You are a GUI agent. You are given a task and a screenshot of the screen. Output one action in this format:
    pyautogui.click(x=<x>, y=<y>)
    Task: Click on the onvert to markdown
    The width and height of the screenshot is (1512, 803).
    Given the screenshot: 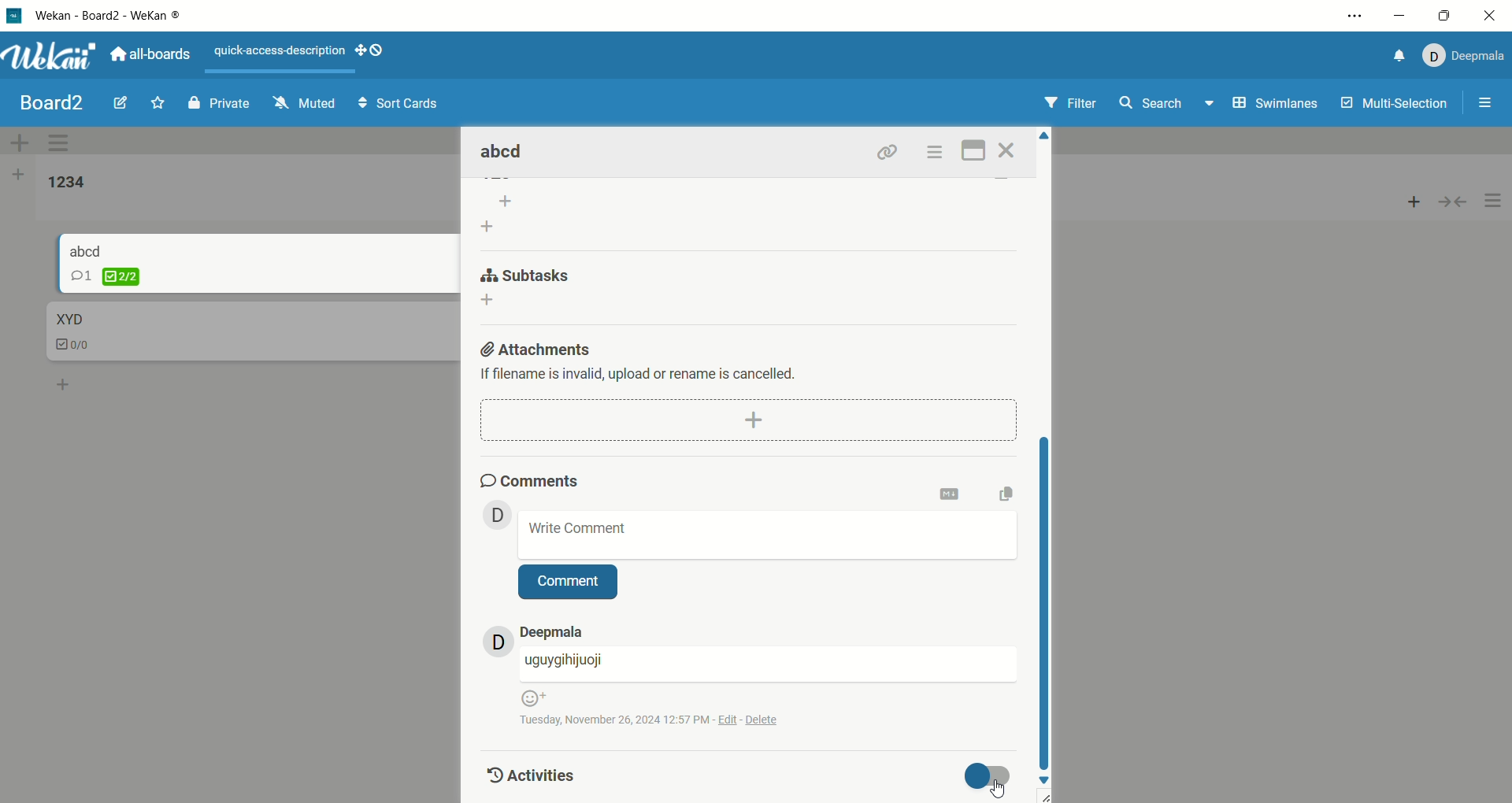 What is the action you would take?
    pyautogui.click(x=951, y=495)
    